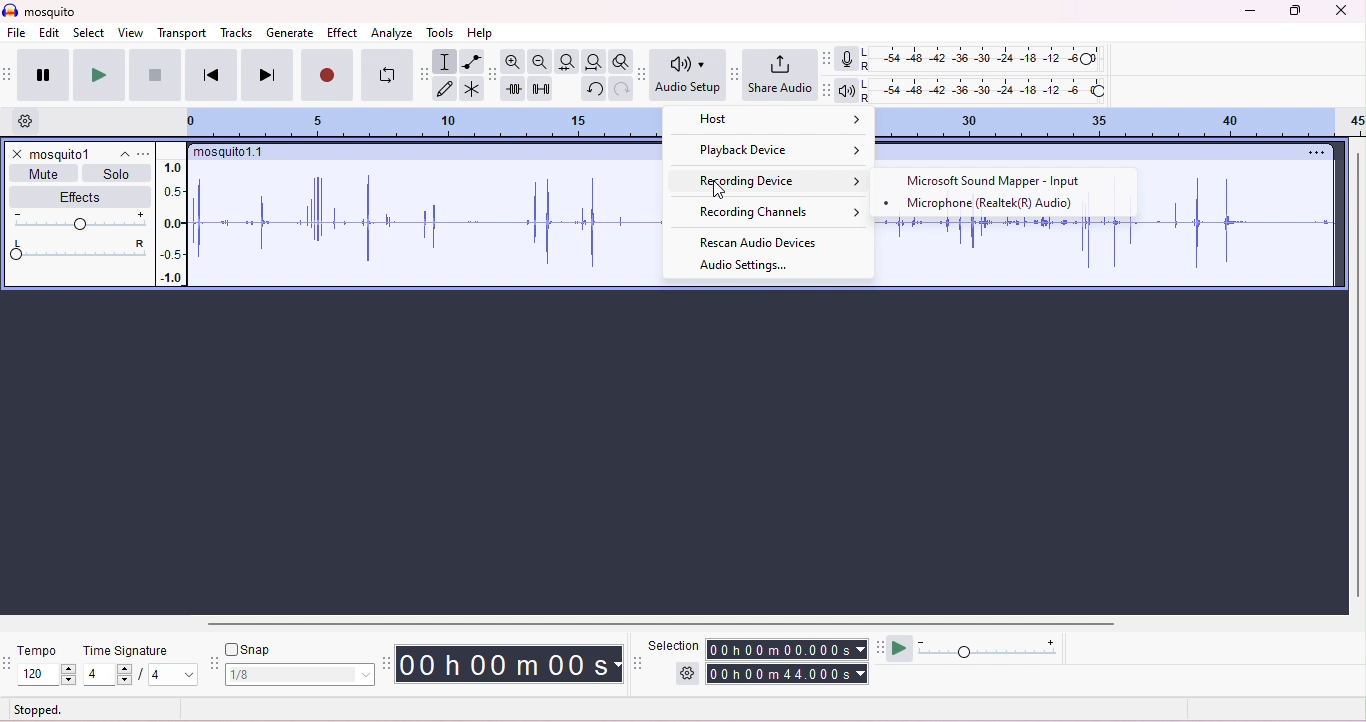 The height and width of the screenshot is (722, 1366). I want to click on snap, so click(248, 649).